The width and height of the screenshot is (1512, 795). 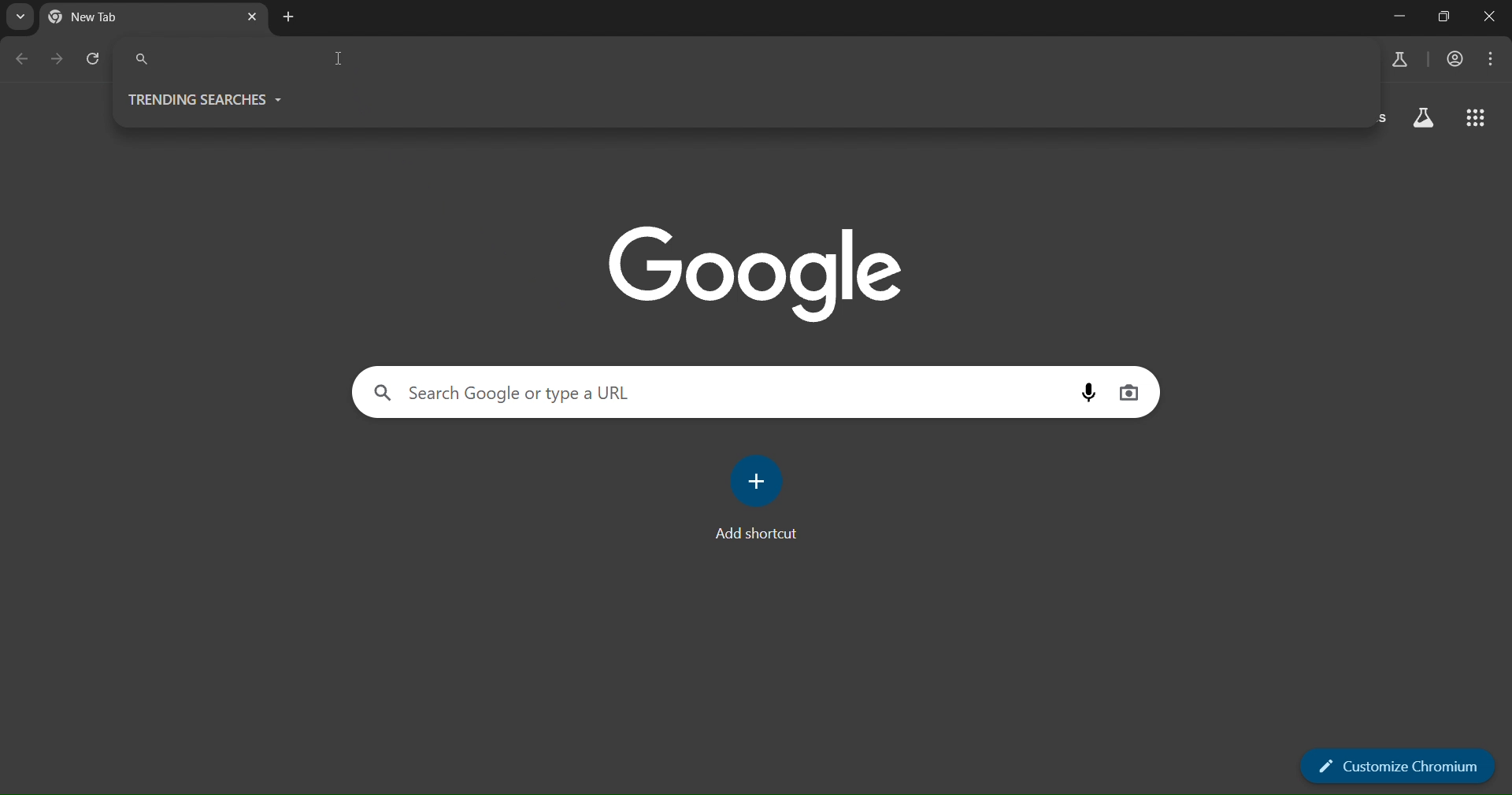 What do you see at coordinates (1424, 117) in the screenshot?
I see `search labs` at bounding box center [1424, 117].